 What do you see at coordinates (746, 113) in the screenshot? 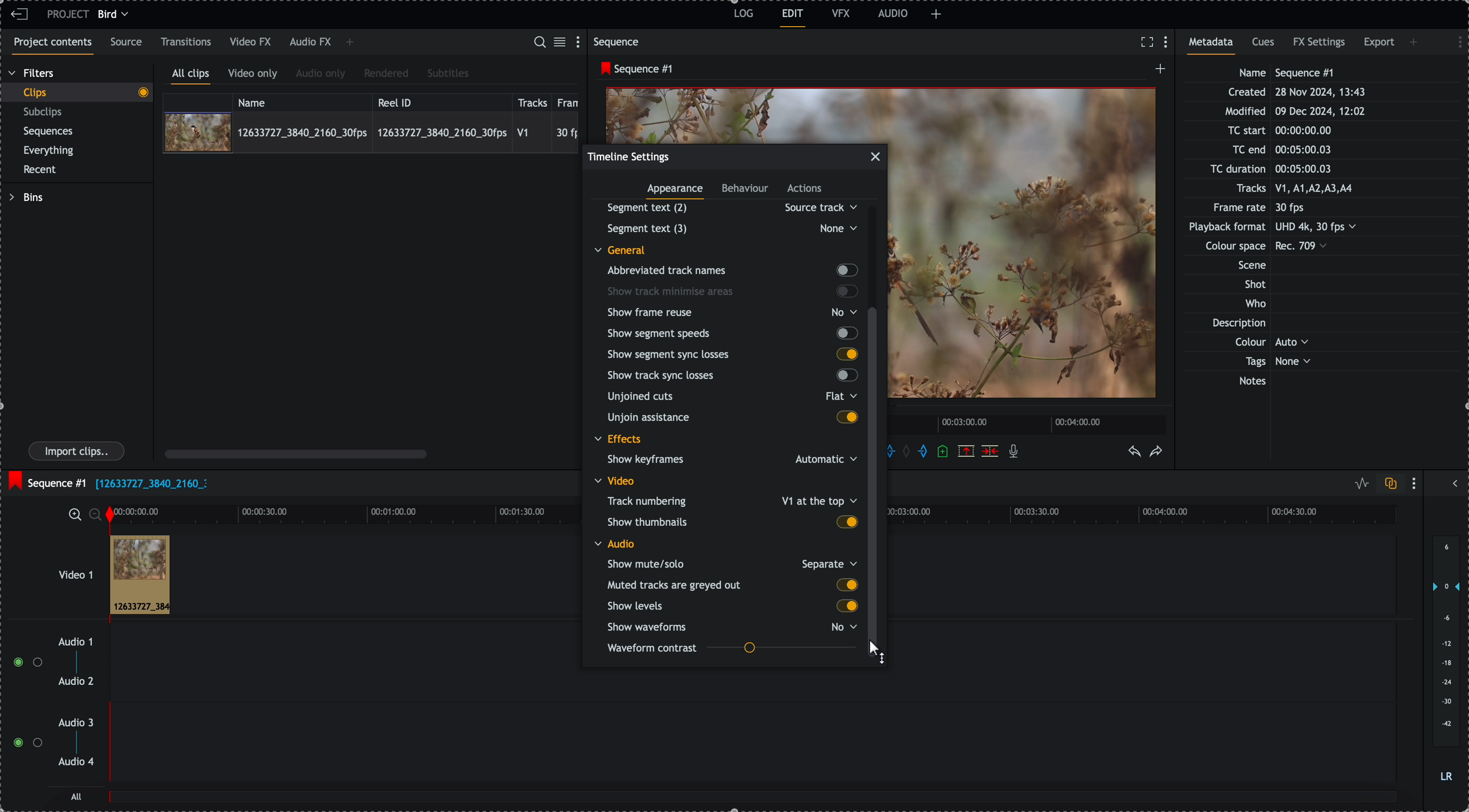
I see `video preview` at bounding box center [746, 113].